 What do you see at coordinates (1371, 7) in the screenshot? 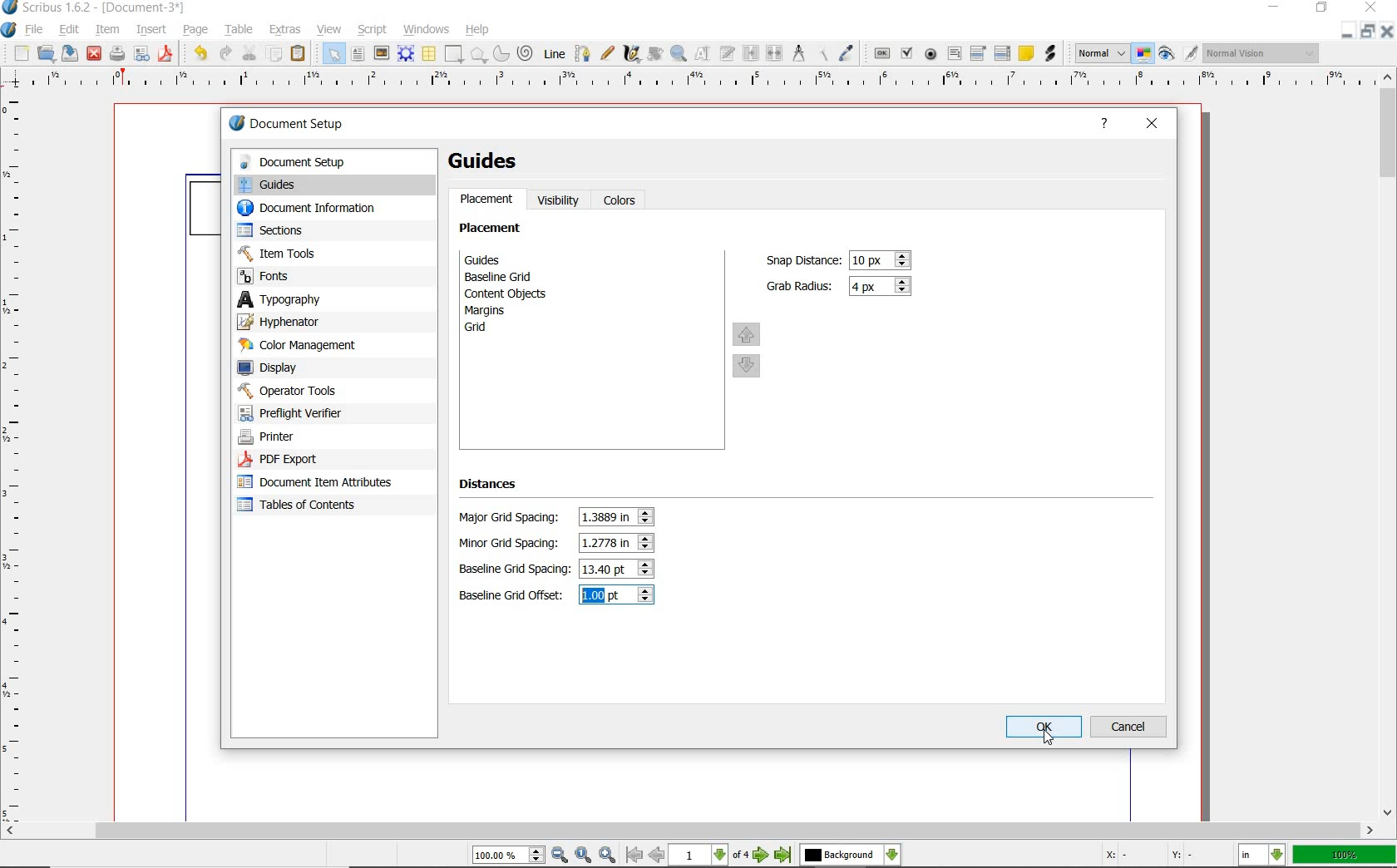
I see `close` at bounding box center [1371, 7].